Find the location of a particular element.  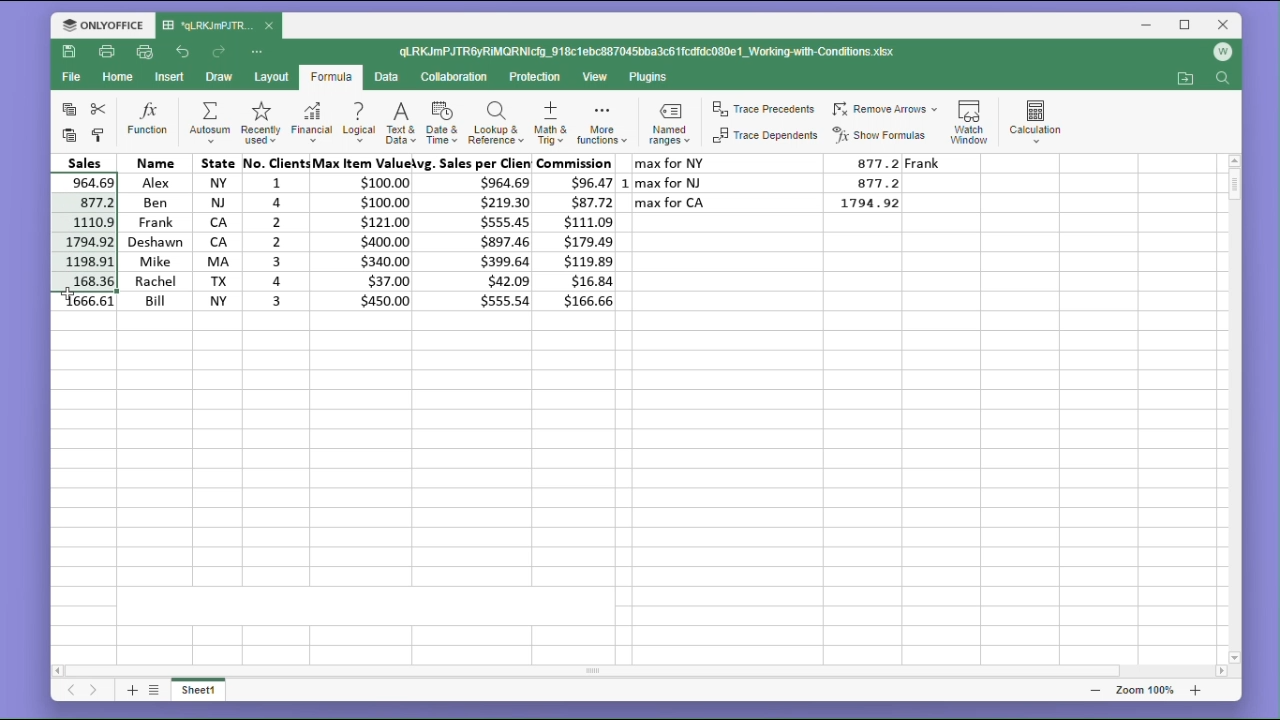

account  logo is located at coordinates (1228, 53).